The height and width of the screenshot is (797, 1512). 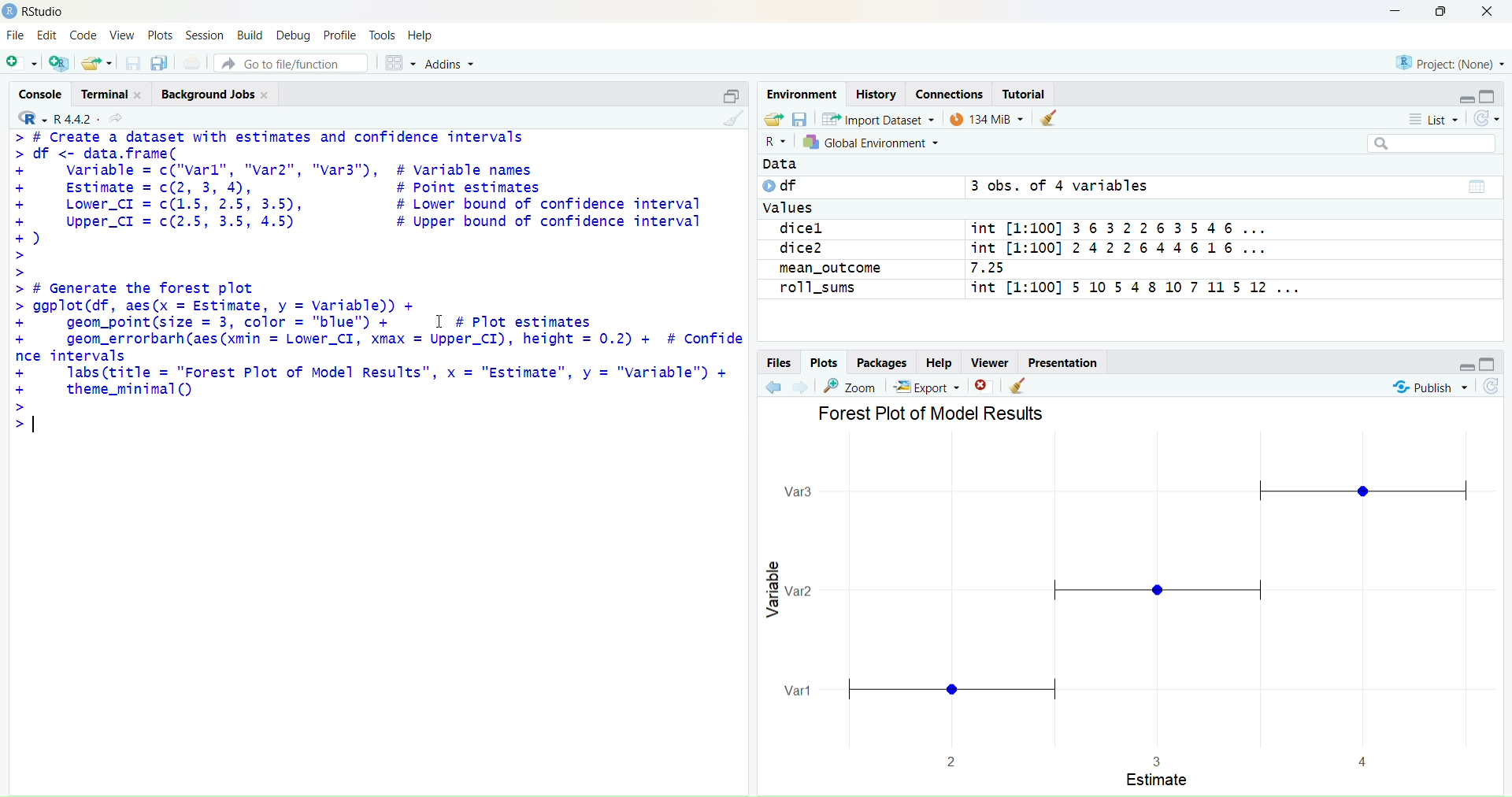 What do you see at coordinates (881, 364) in the screenshot?
I see `Packages` at bounding box center [881, 364].